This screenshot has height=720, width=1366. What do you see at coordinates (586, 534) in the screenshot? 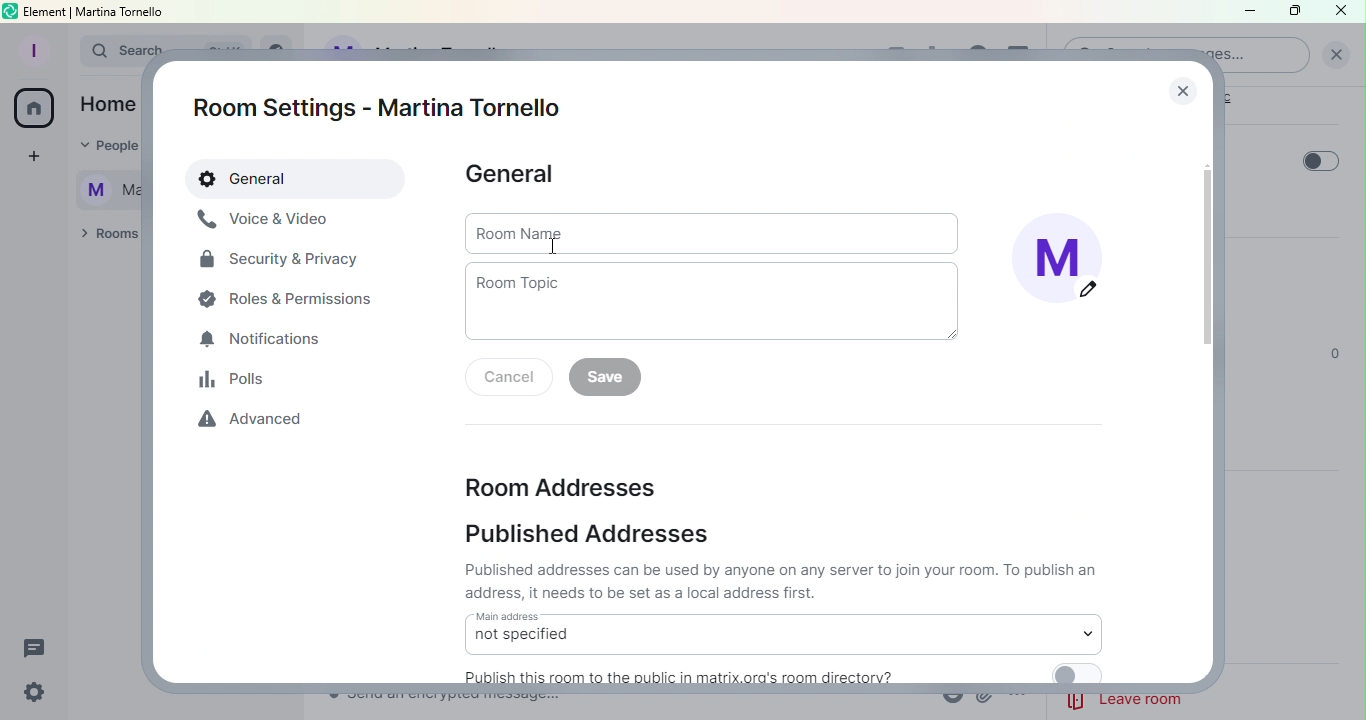
I see `Published addresses` at bounding box center [586, 534].